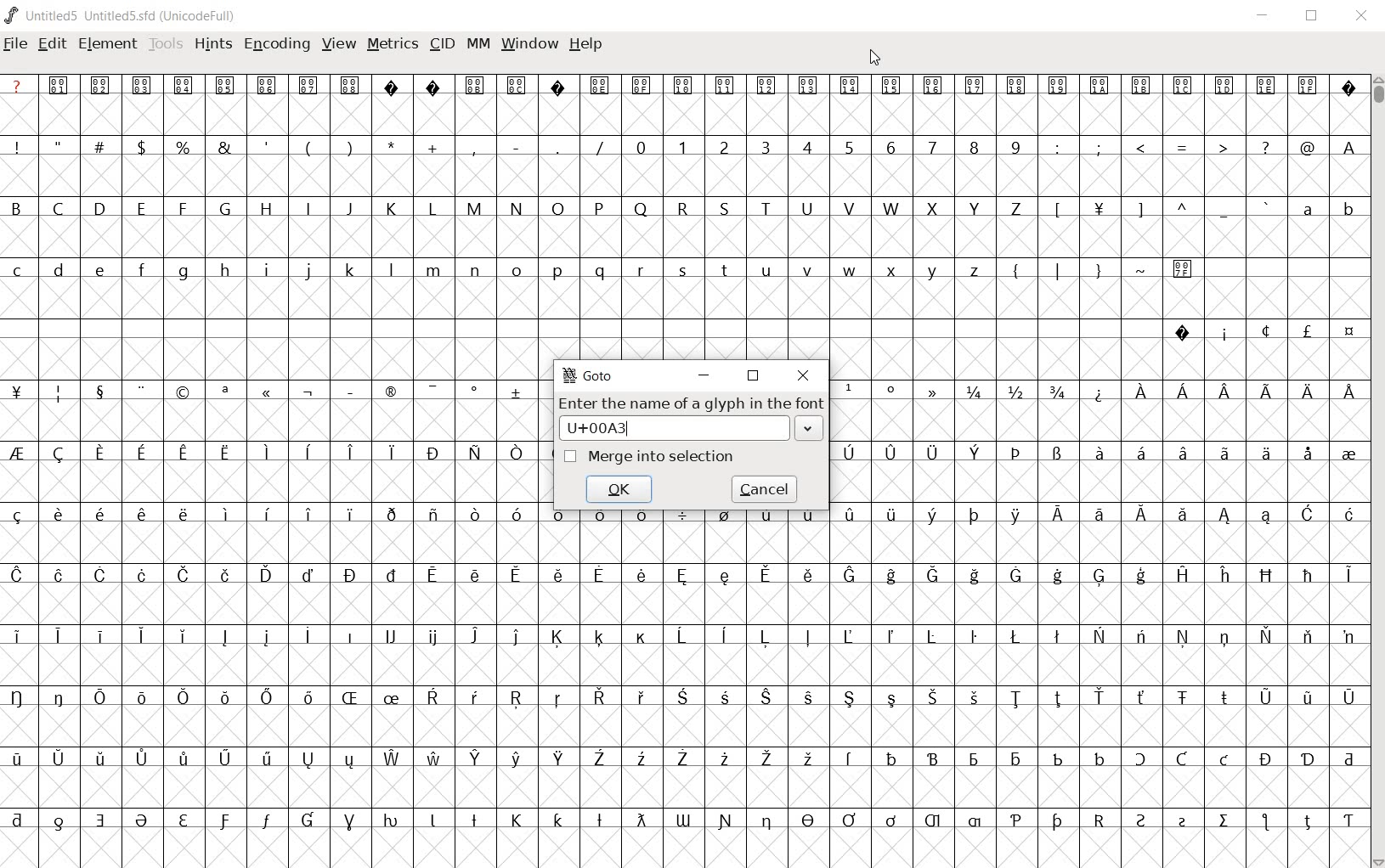  Describe the element at coordinates (1266, 823) in the screenshot. I see `Symbol` at that location.